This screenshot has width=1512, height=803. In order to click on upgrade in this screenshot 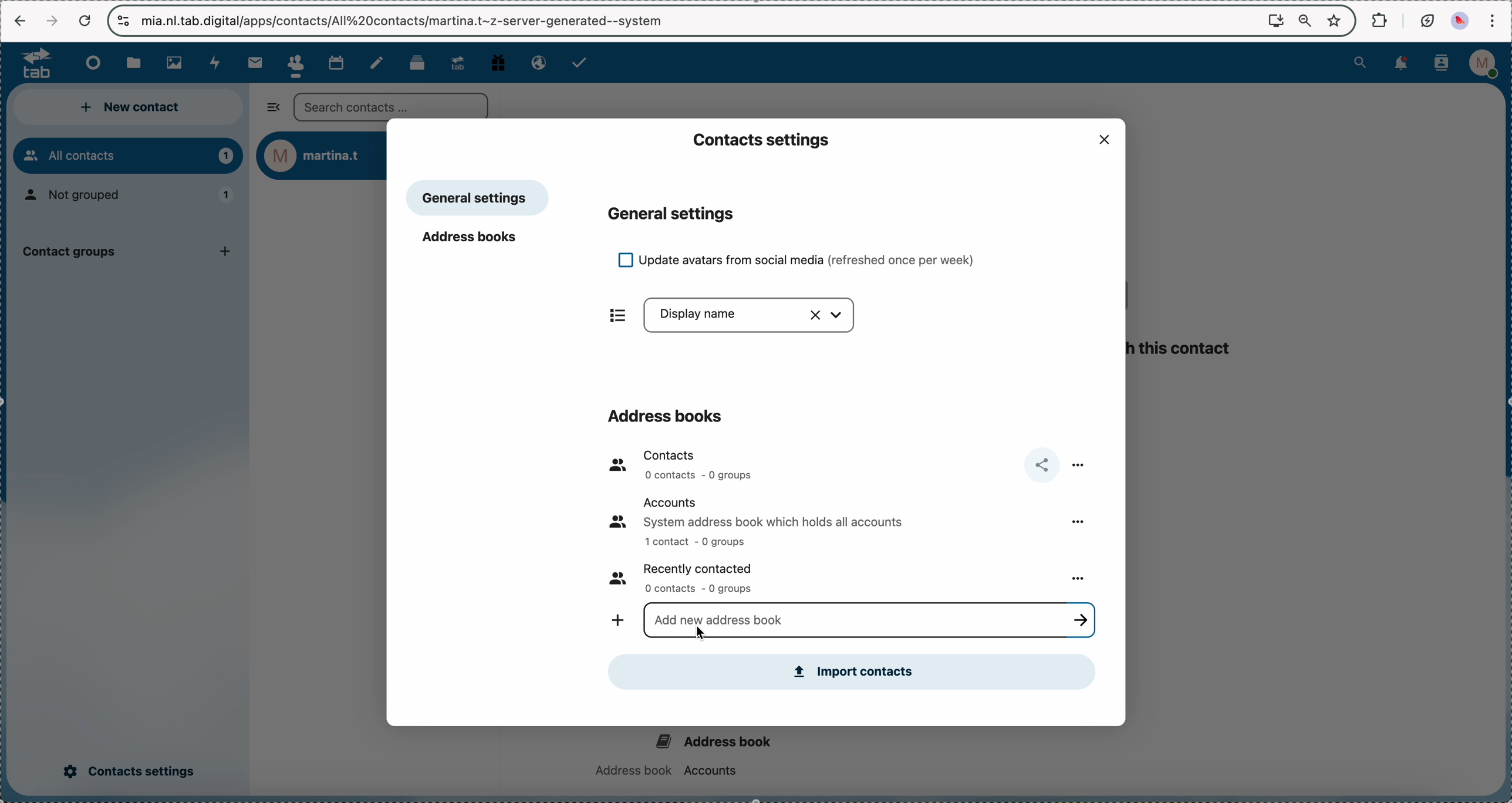, I will do `click(457, 62)`.